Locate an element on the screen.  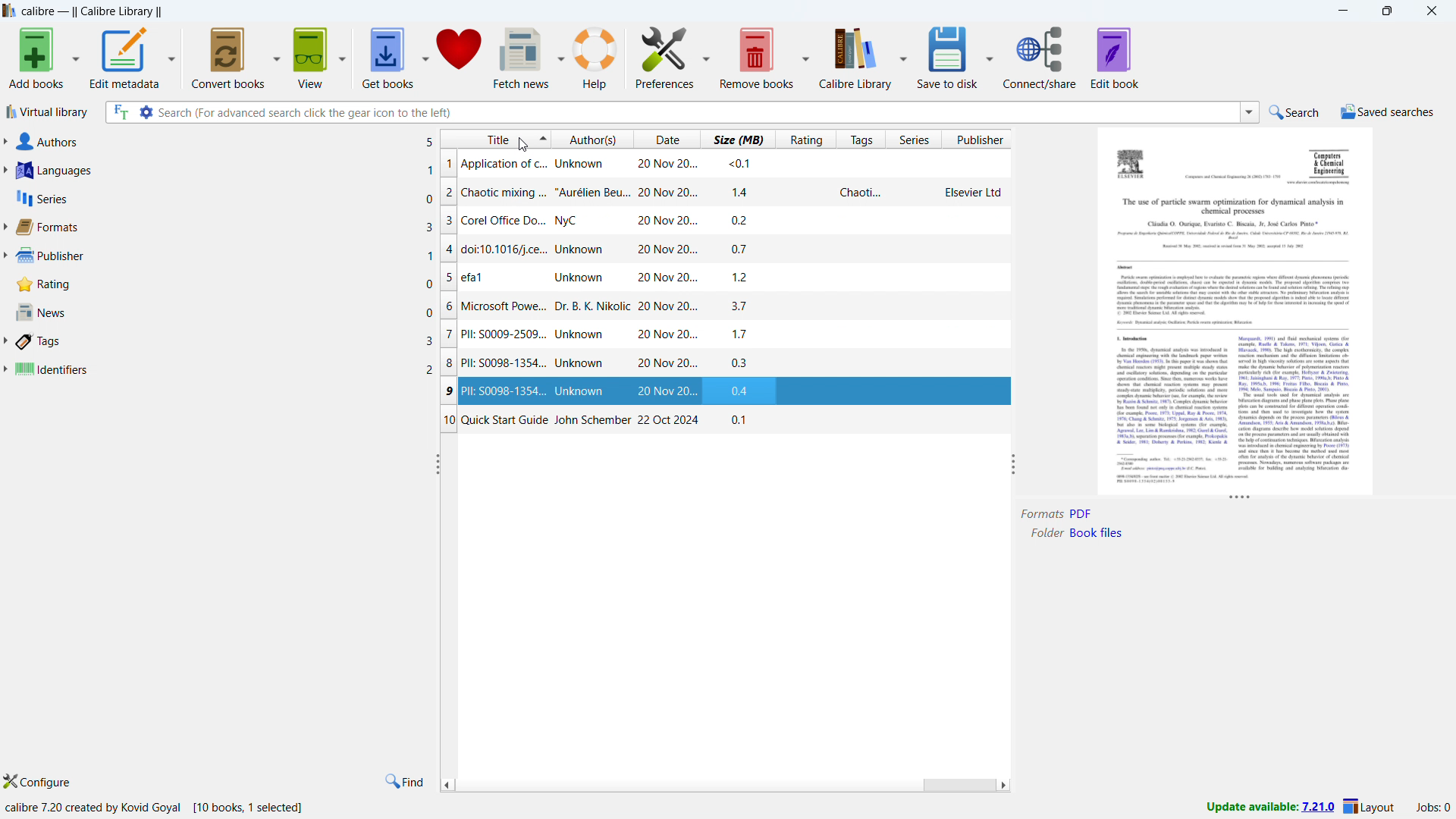
 is located at coordinates (1233, 301).